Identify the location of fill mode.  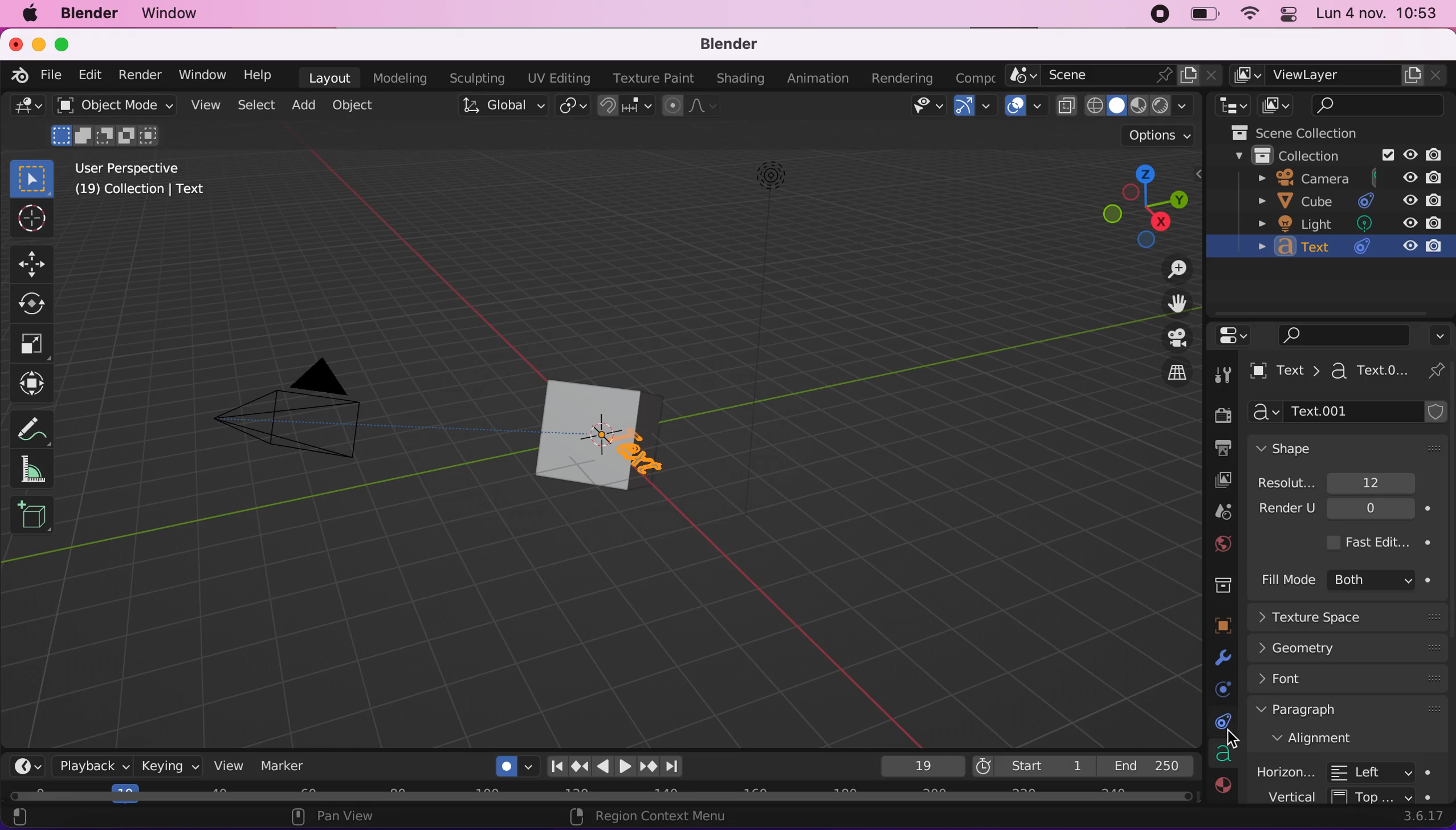
(1349, 581).